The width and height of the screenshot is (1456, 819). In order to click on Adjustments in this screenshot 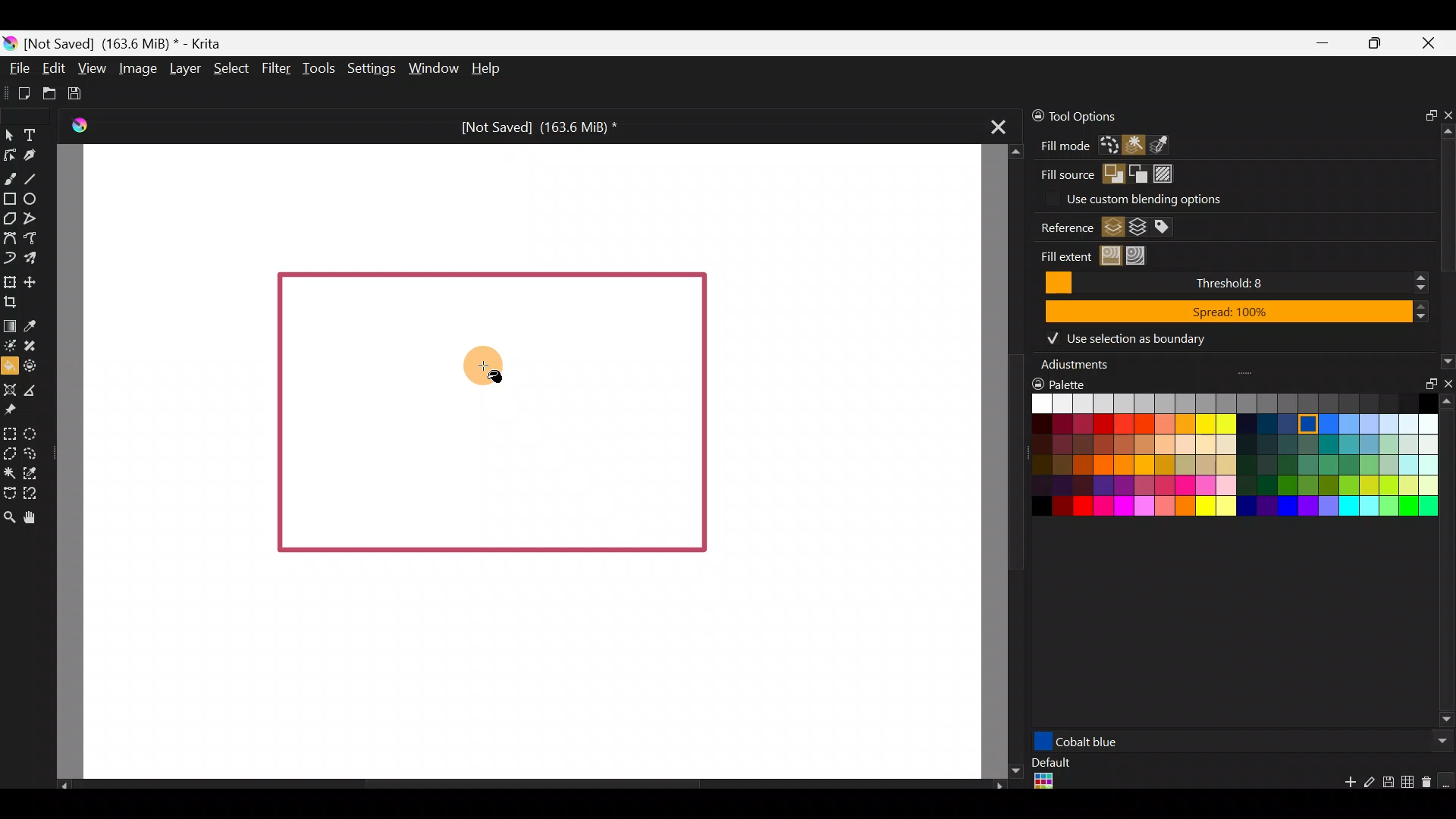, I will do `click(1078, 367)`.